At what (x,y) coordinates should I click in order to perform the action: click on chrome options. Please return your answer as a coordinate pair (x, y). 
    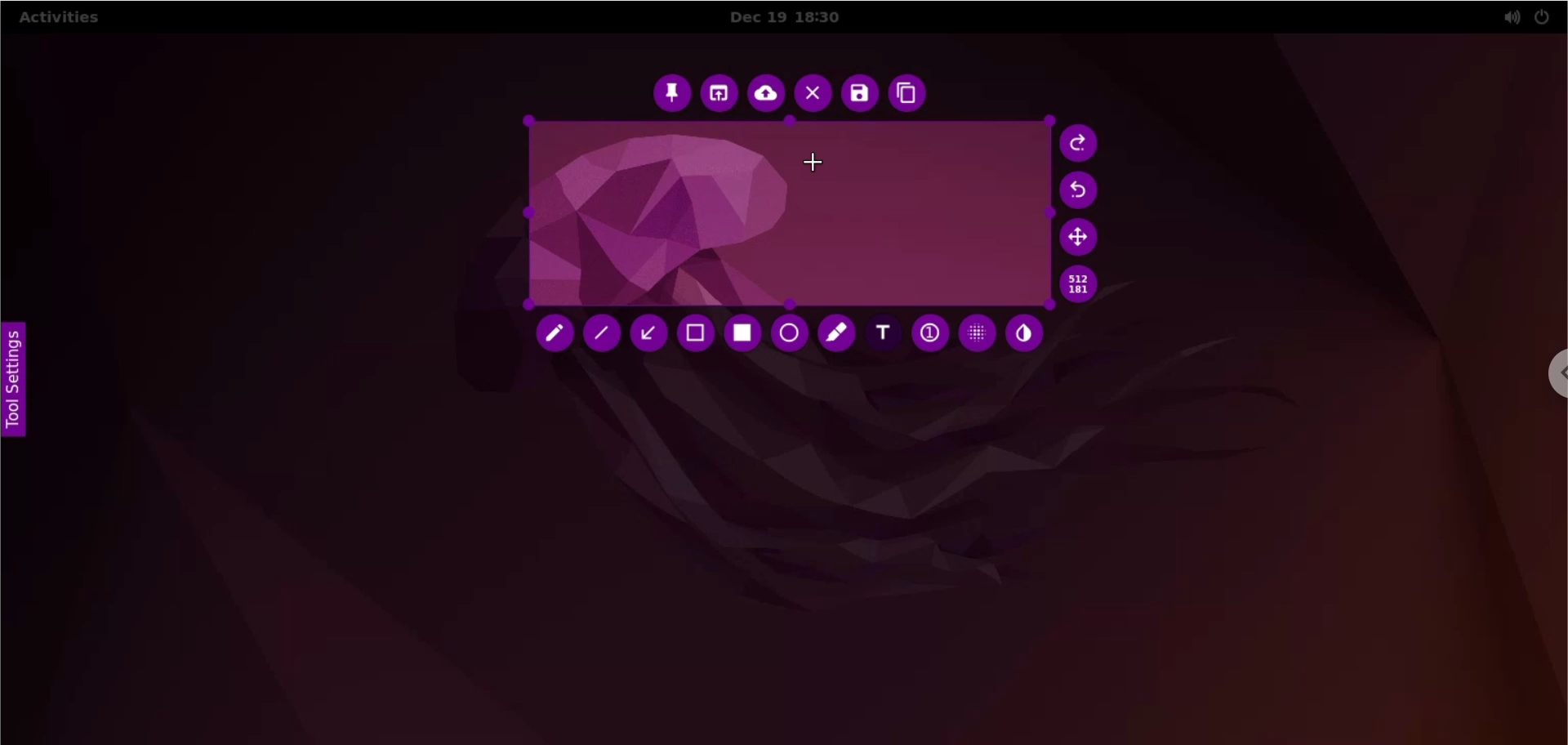
    Looking at the image, I should click on (1552, 373).